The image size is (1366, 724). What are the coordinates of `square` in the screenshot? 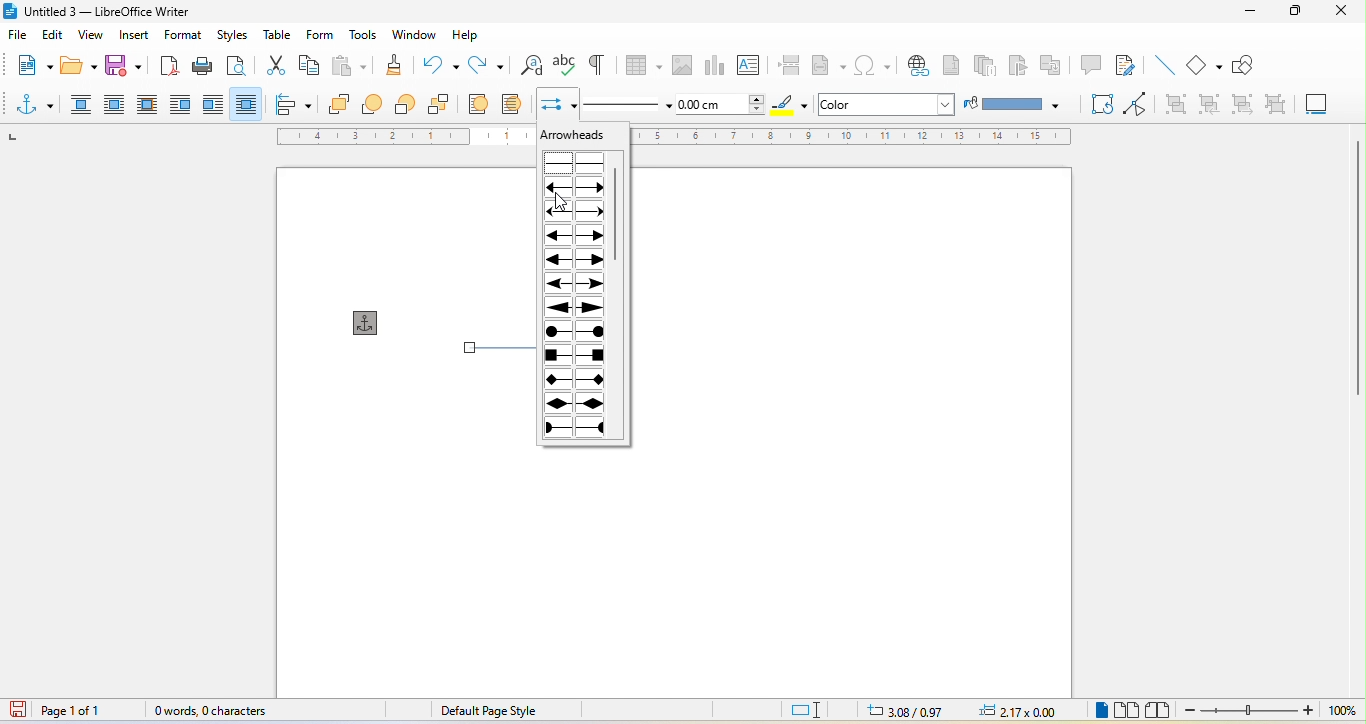 It's located at (574, 358).